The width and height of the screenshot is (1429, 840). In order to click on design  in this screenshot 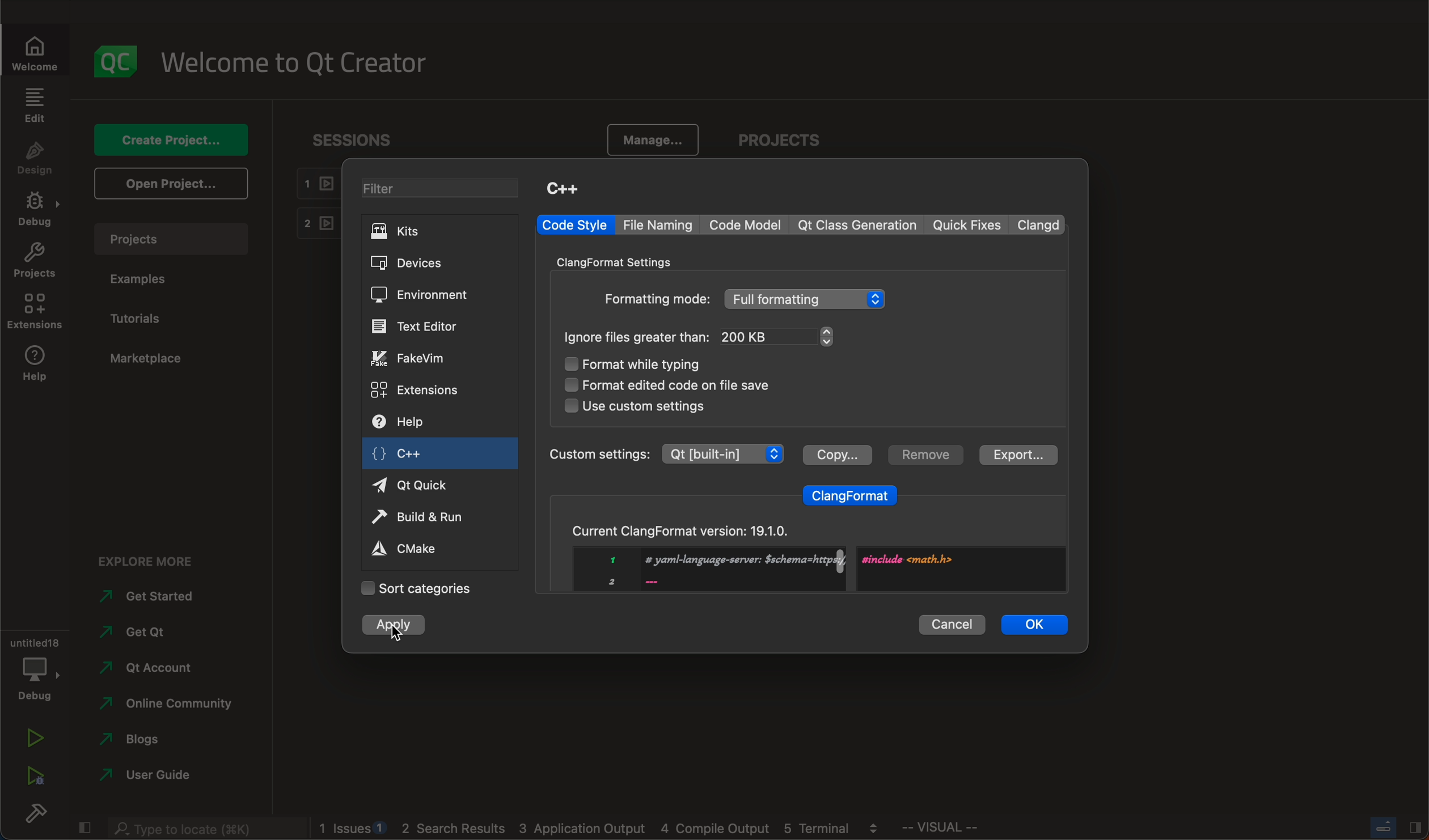, I will do `click(35, 159)`.